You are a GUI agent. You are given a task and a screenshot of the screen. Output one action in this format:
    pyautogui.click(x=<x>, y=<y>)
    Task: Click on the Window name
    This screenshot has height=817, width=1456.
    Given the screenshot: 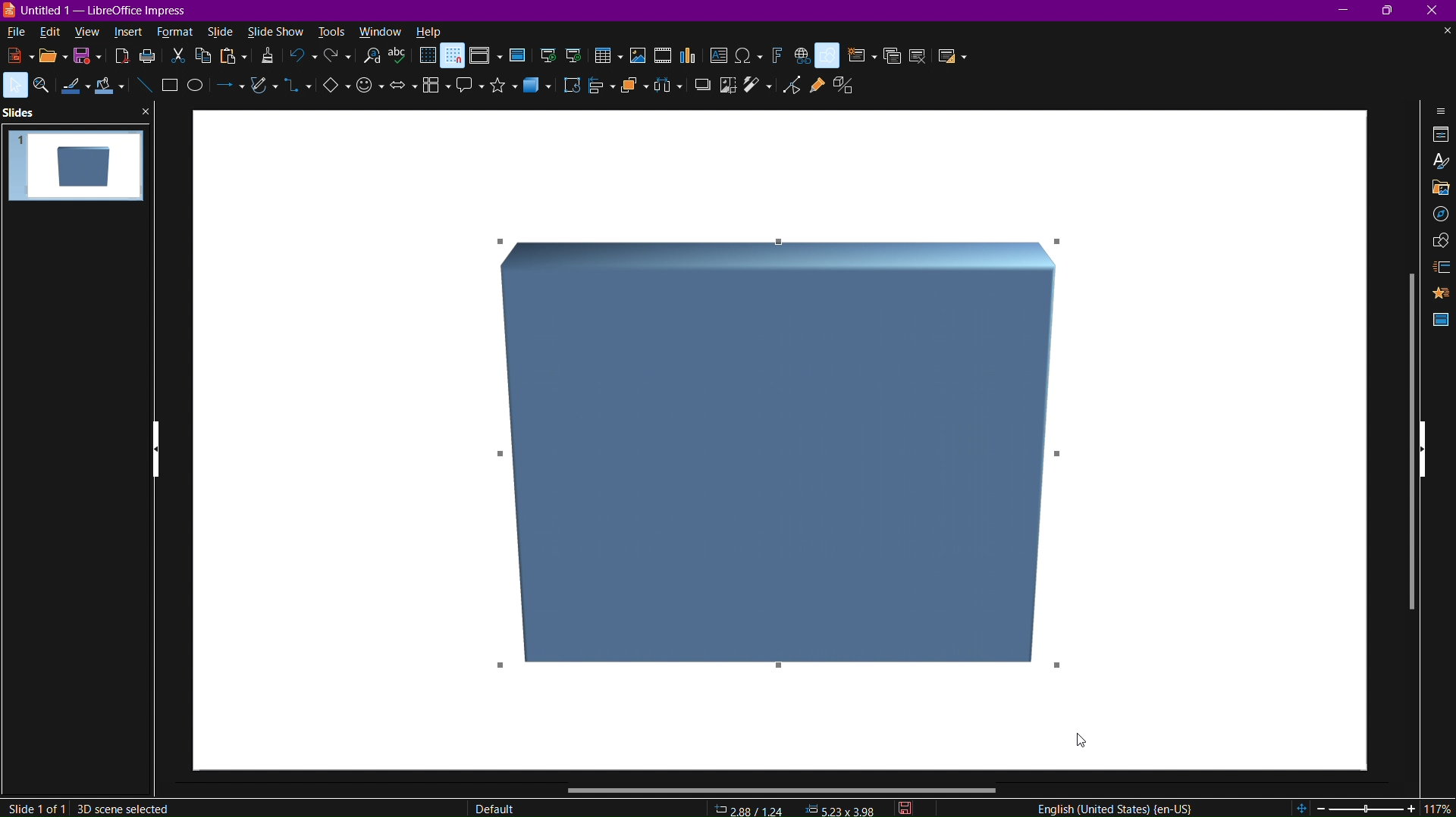 What is the action you would take?
    pyautogui.click(x=97, y=11)
    